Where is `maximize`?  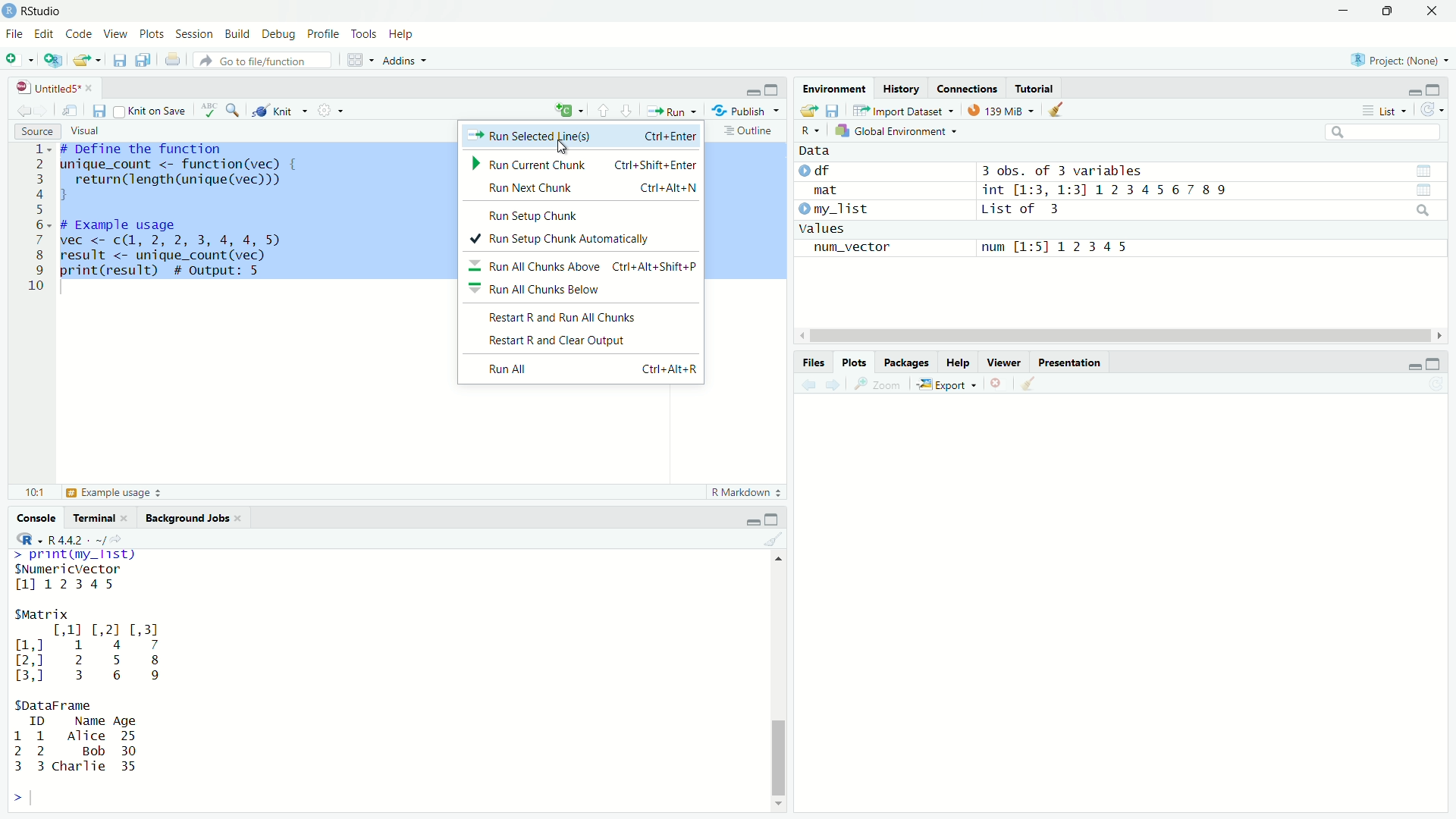
maximize is located at coordinates (1435, 91).